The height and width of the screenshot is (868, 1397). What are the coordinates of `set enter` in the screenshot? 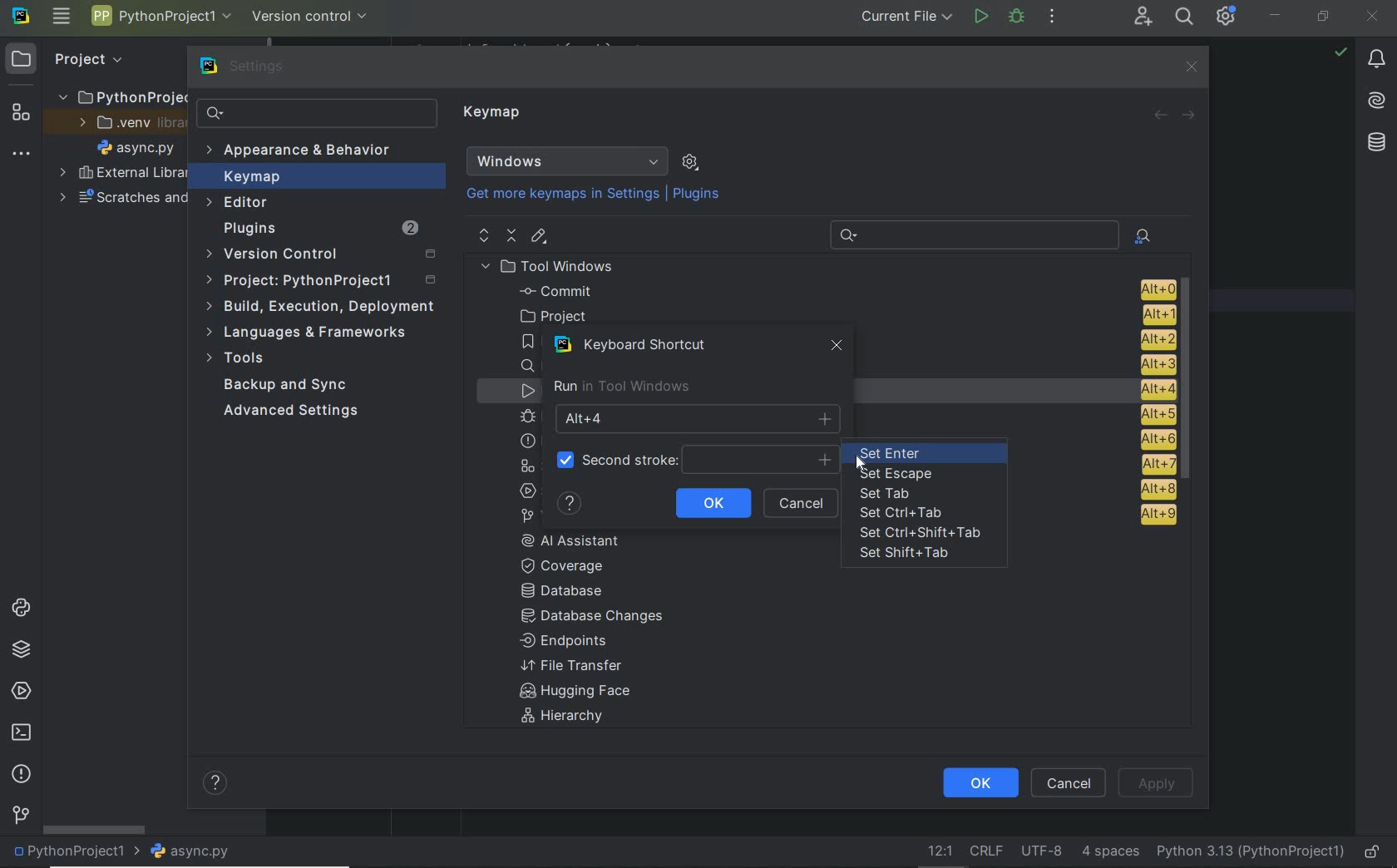 It's located at (913, 453).